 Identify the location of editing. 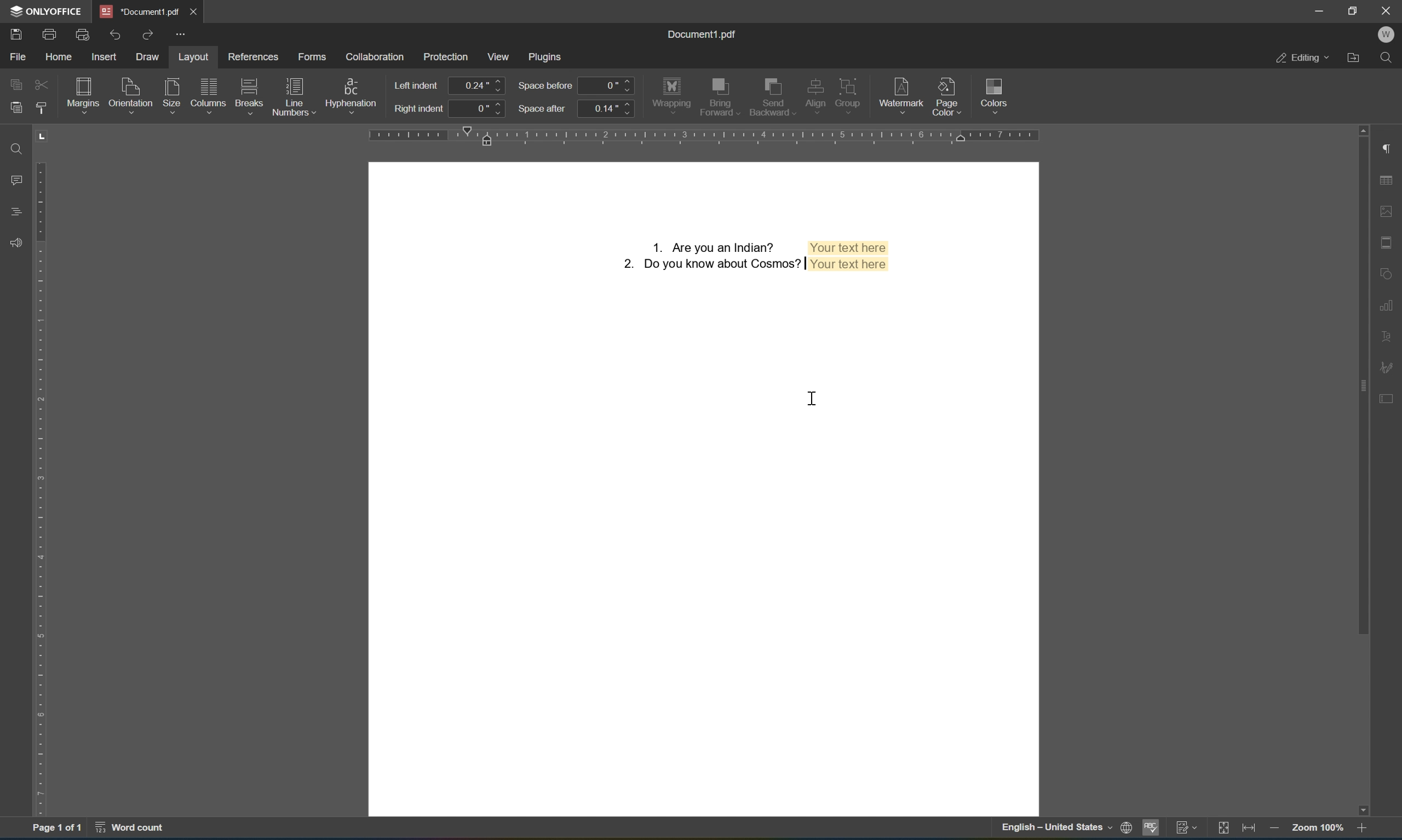
(1302, 58).